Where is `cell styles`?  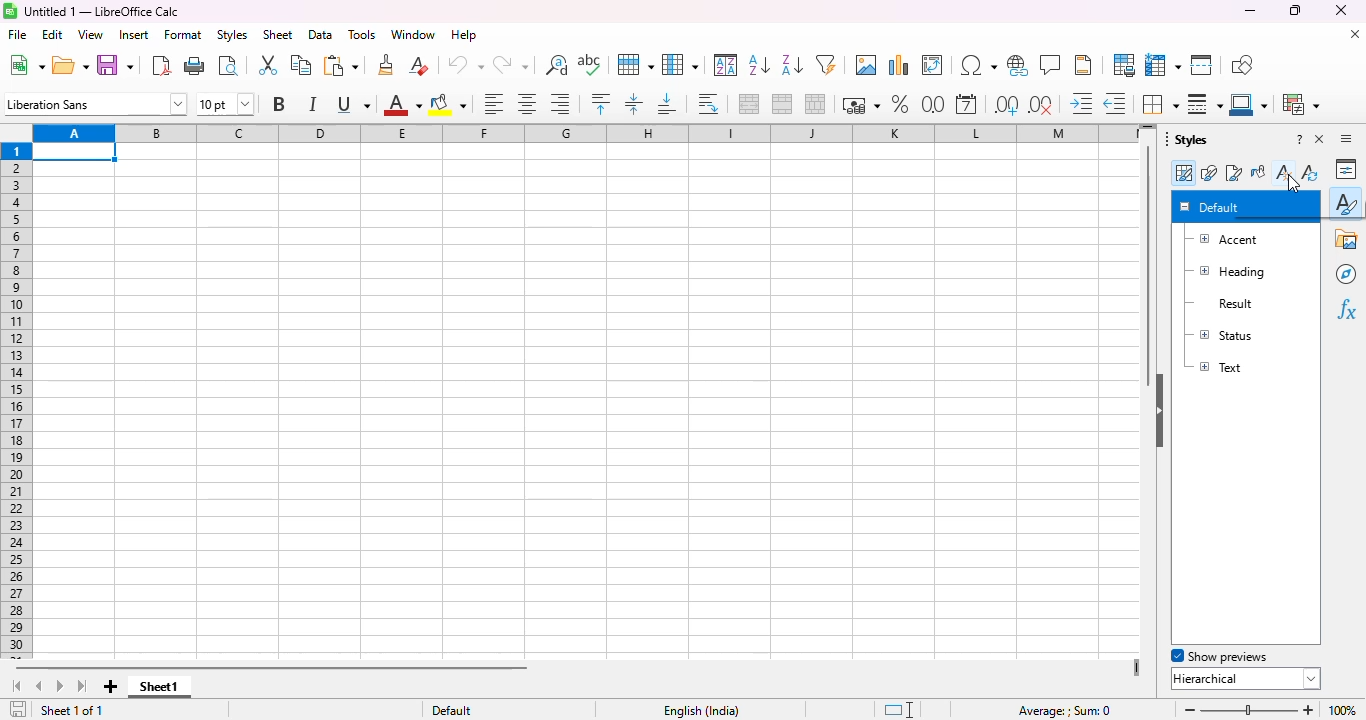
cell styles is located at coordinates (1183, 173).